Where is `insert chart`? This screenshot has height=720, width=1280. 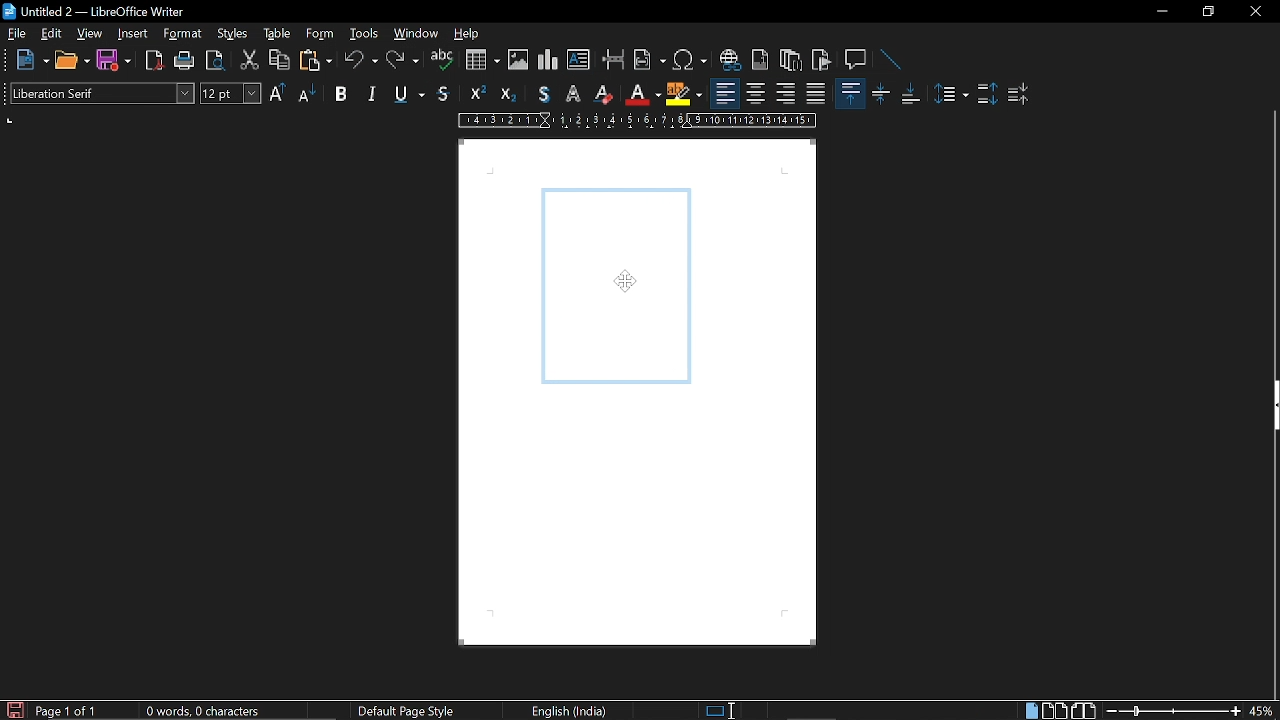
insert chart is located at coordinates (549, 60).